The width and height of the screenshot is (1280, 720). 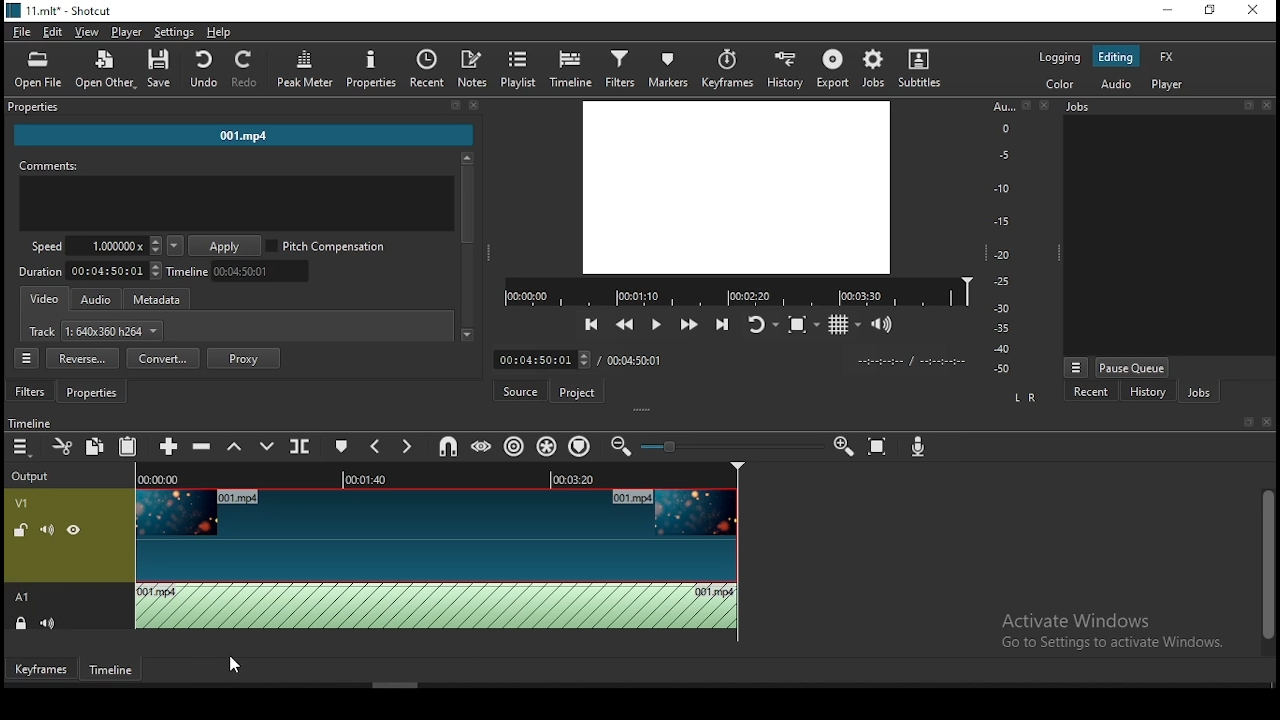 What do you see at coordinates (54, 31) in the screenshot?
I see `edit` at bounding box center [54, 31].